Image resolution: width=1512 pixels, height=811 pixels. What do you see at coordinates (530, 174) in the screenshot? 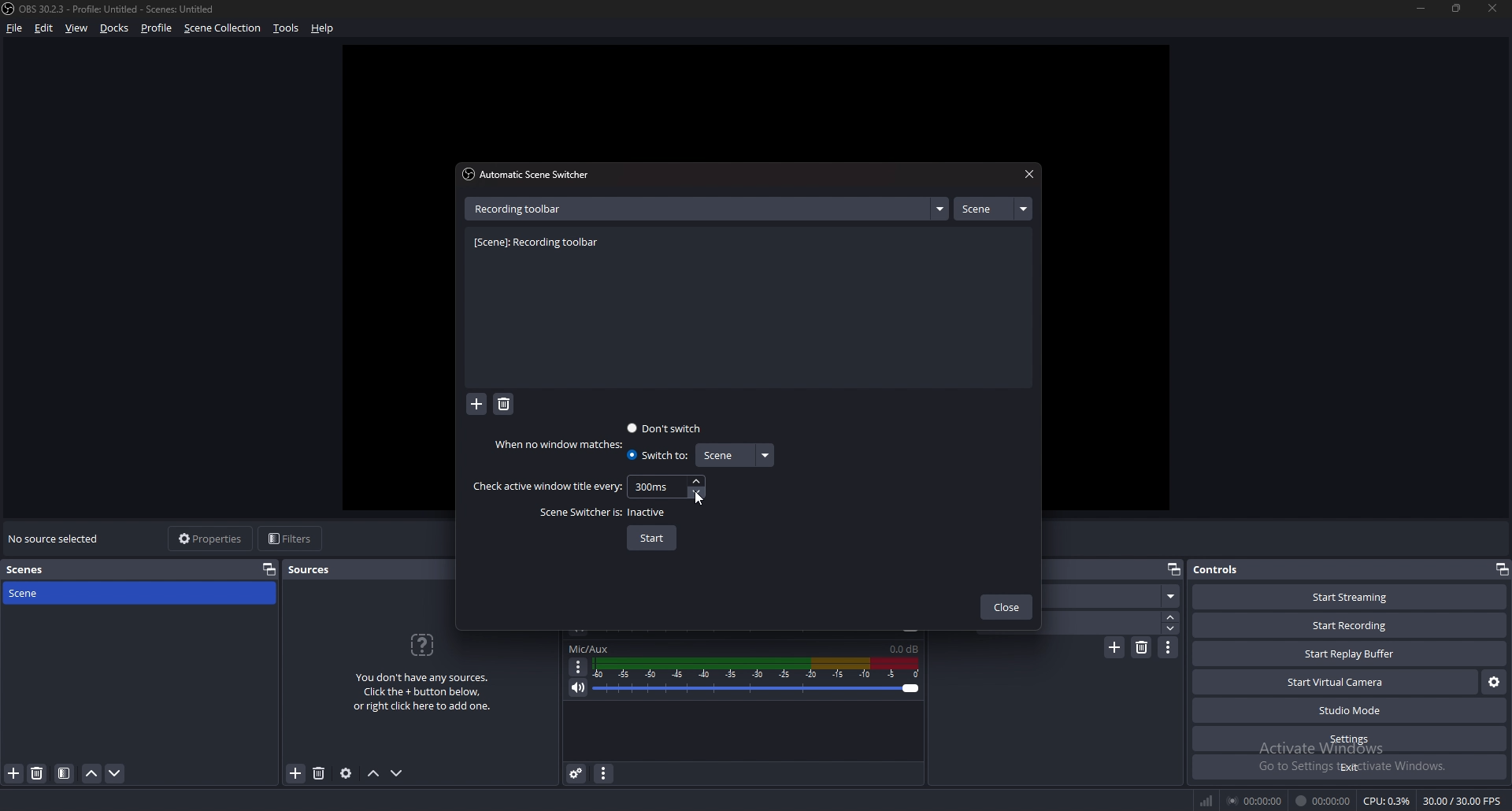
I see `automatic scene switcher` at bounding box center [530, 174].